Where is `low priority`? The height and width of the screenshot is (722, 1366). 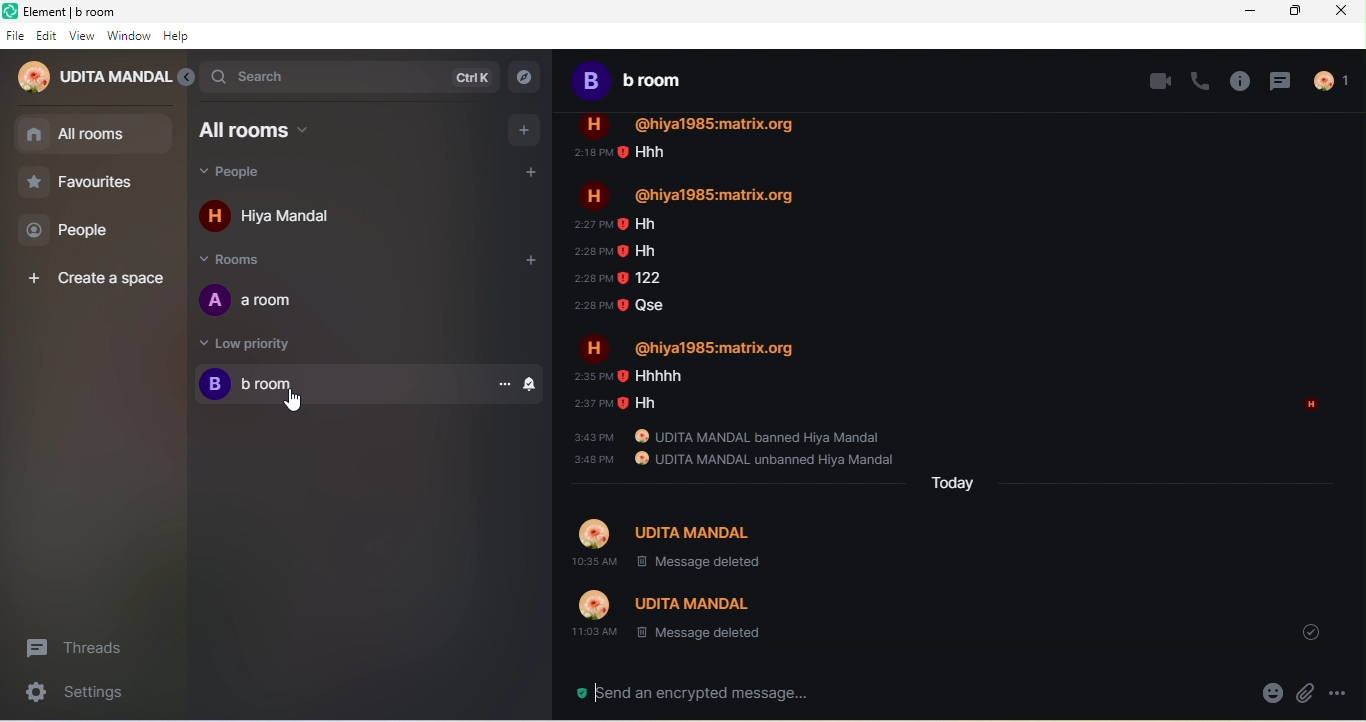 low priority is located at coordinates (274, 344).